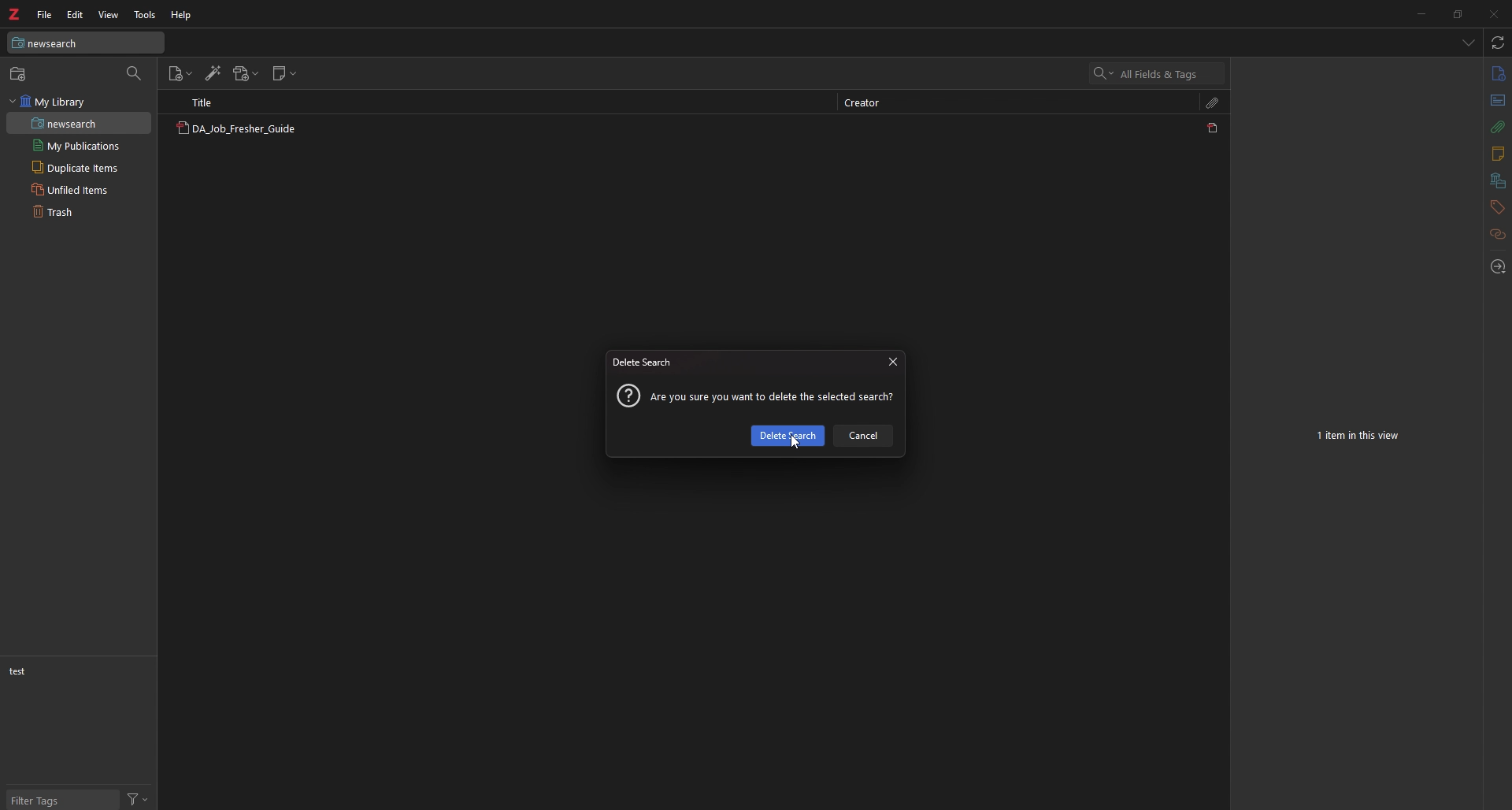  Describe the element at coordinates (863, 435) in the screenshot. I see `cancel` at that location.